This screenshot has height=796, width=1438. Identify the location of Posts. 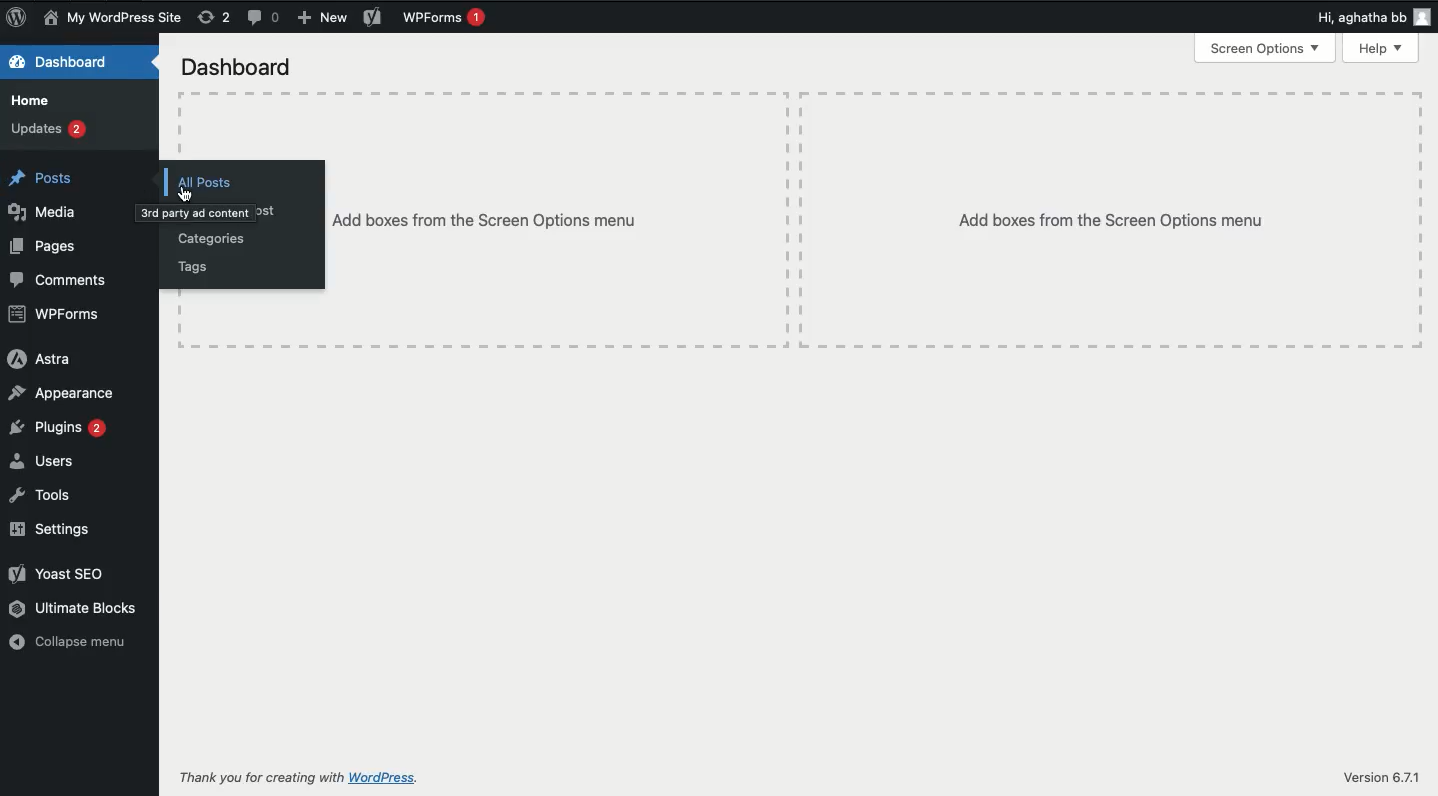
(42, 179).